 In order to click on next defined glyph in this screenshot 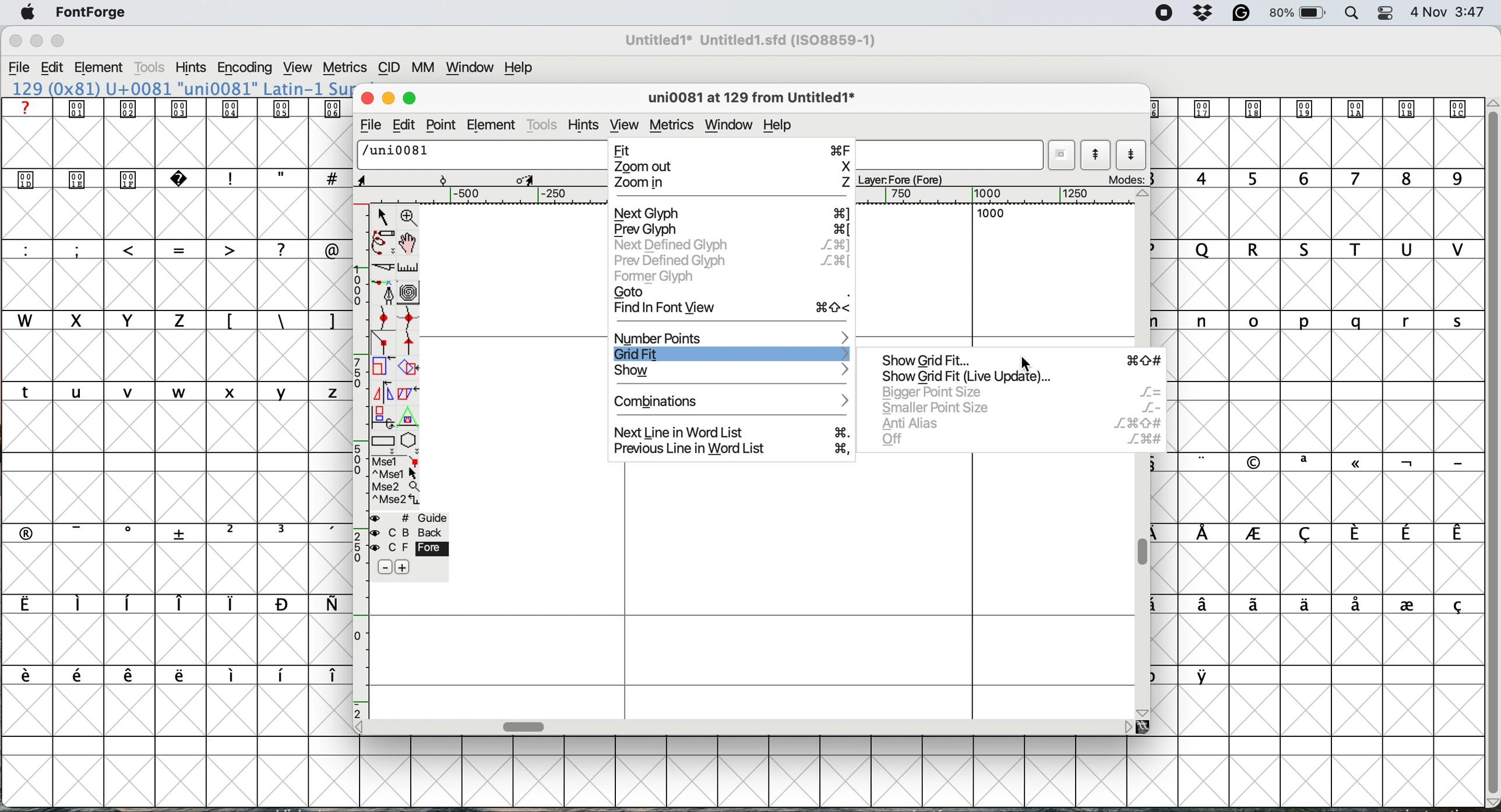, I will do `click(731, 246)`.